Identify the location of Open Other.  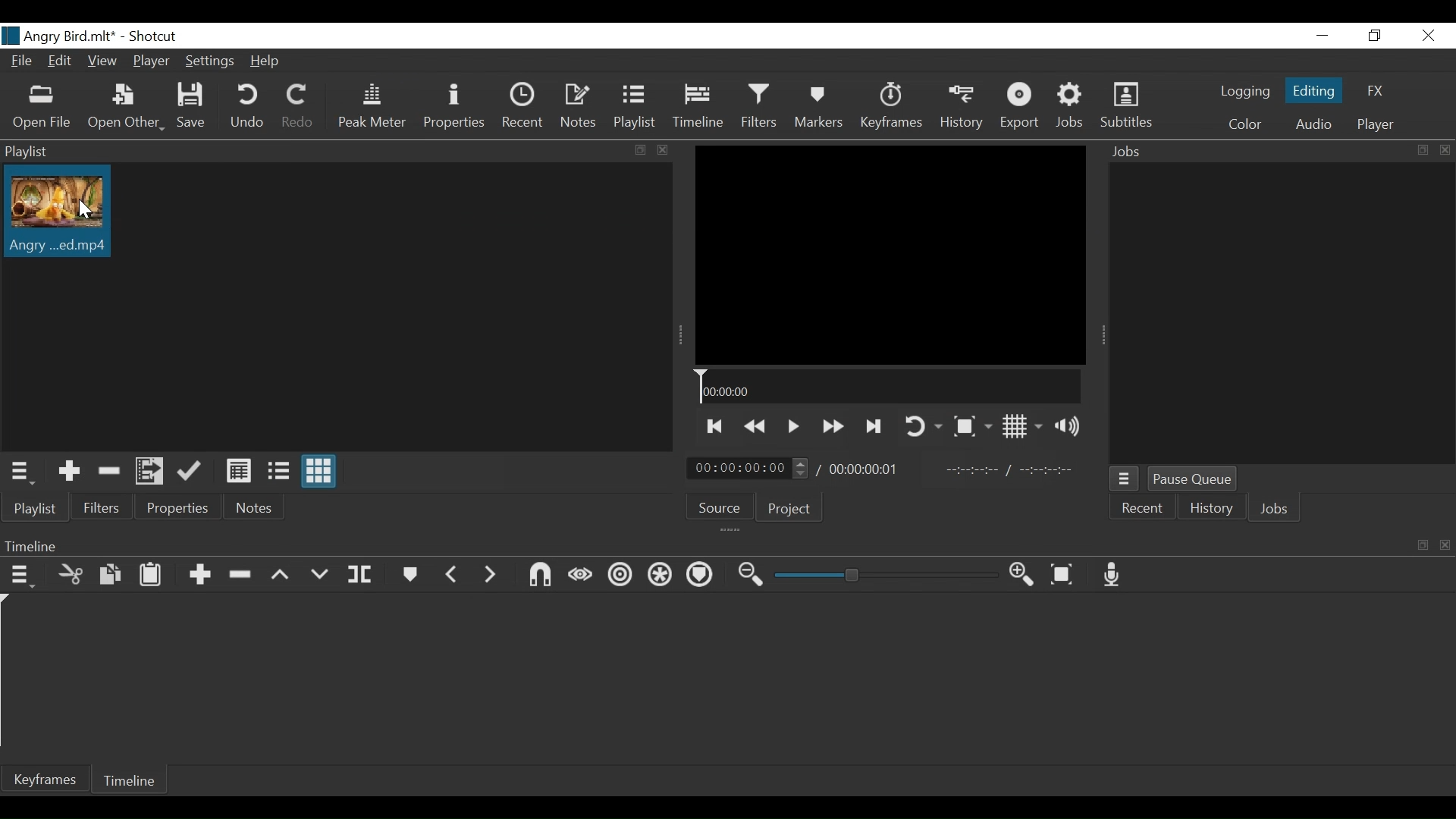
(124, 108).